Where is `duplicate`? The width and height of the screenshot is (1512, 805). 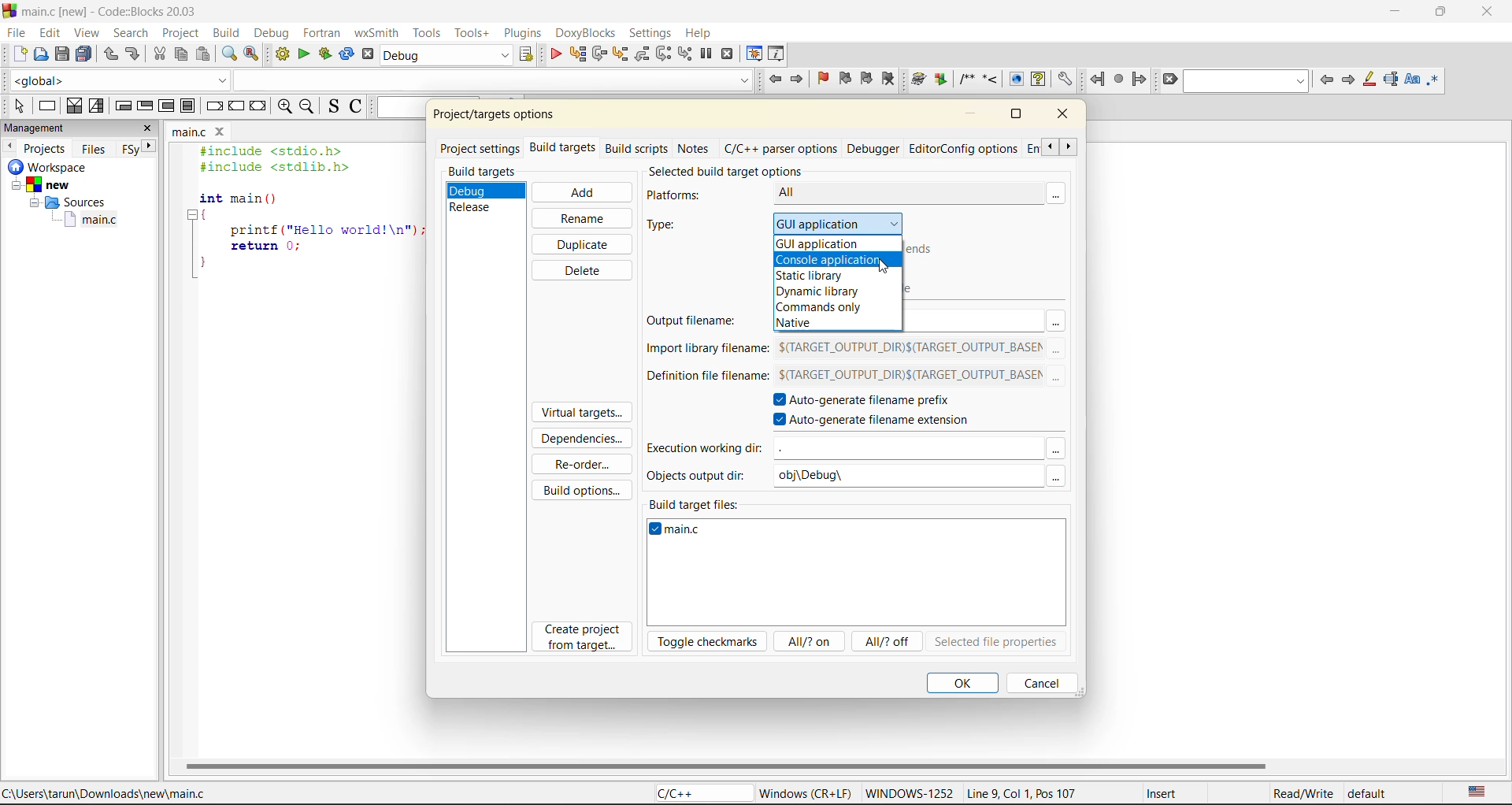 duplicate is located at coordinates (584, 243).